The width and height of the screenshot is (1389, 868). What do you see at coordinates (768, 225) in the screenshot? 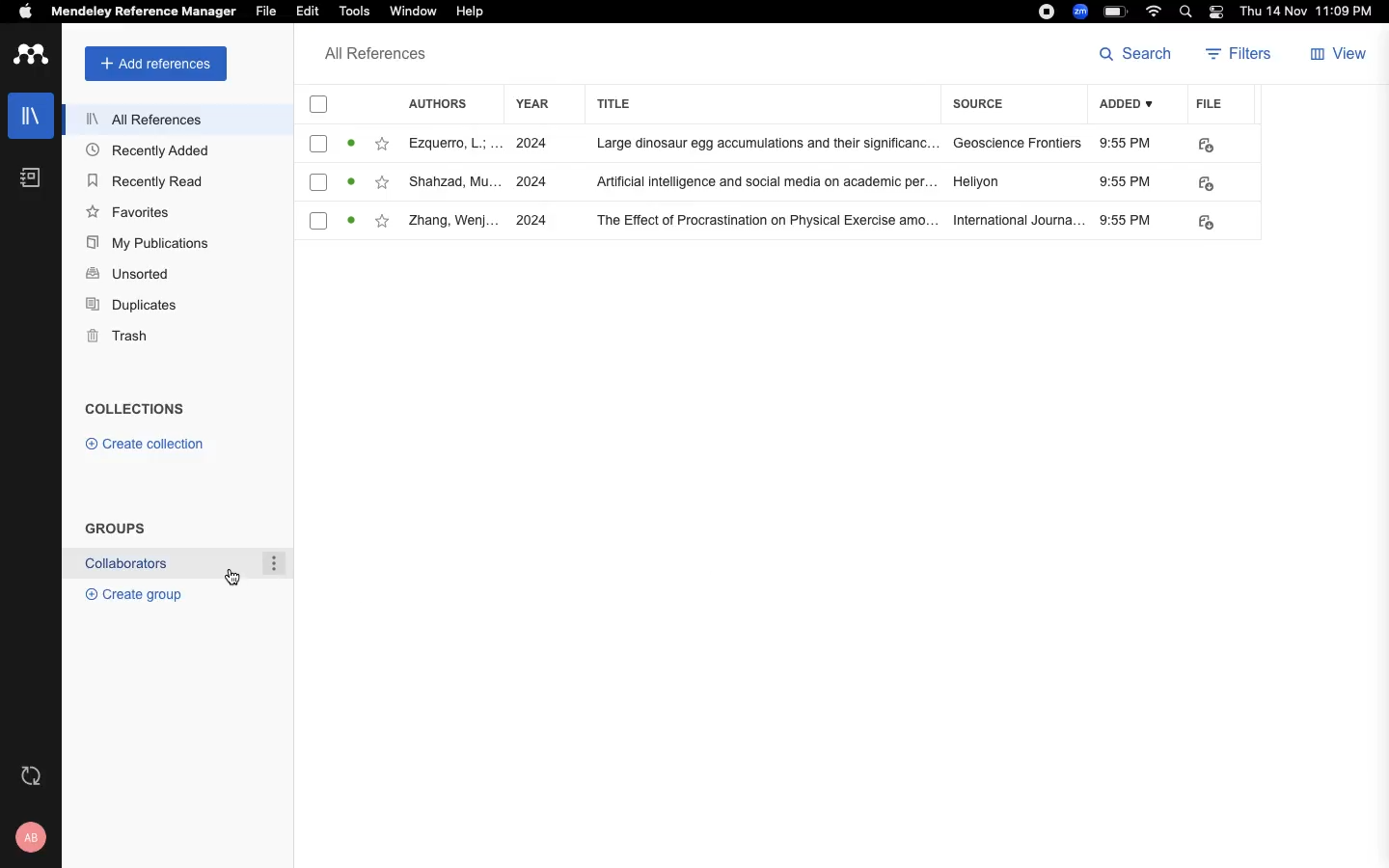
I see `‘The Effect of Procrastination on Physical Exercise amo...` at bounding box center [768, 225].